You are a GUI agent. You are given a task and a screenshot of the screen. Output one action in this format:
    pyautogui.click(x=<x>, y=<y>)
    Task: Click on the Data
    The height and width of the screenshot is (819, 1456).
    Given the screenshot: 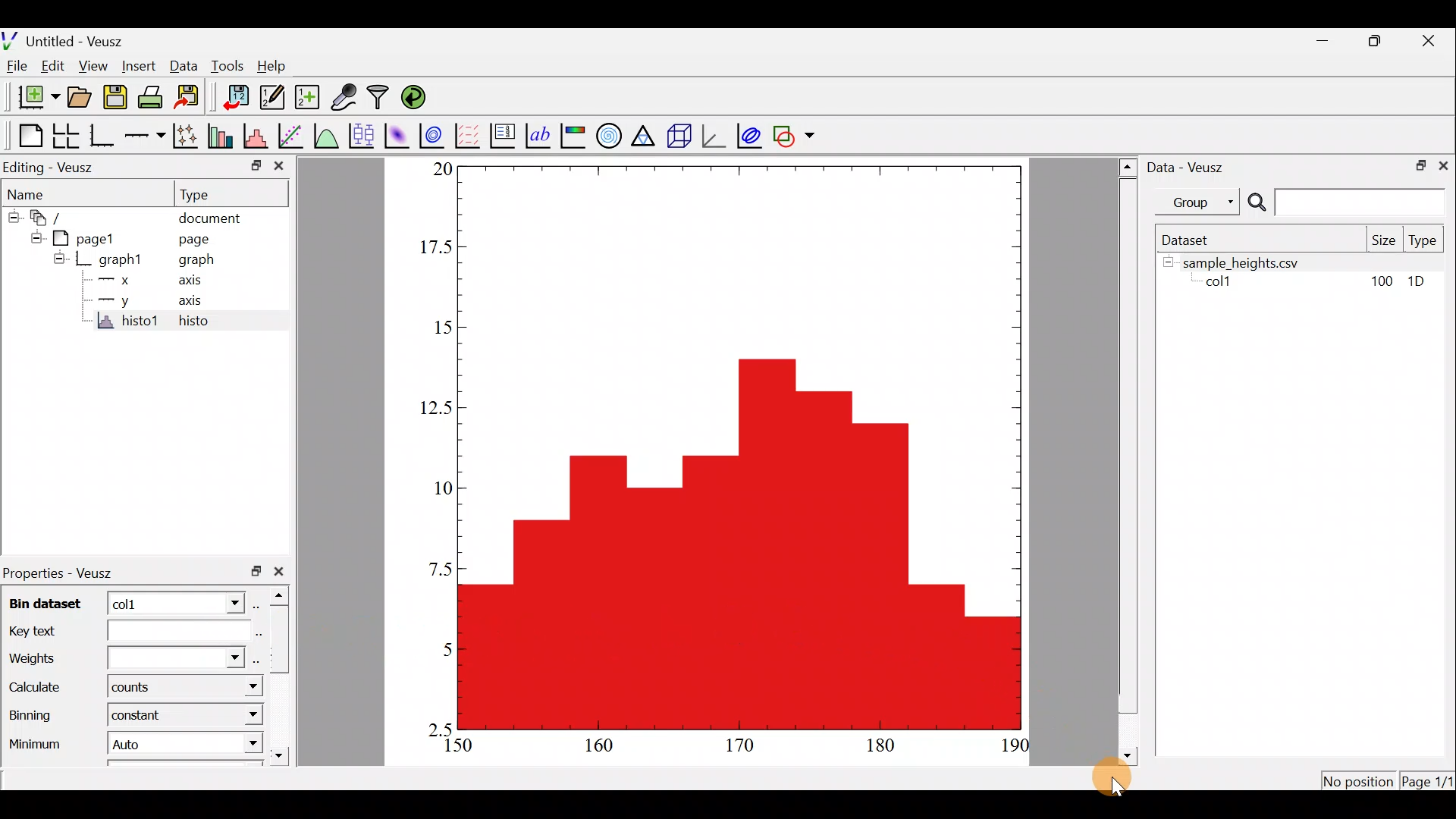 What is the action you would take?
    pyautogui.click(x=184, y=68)
    